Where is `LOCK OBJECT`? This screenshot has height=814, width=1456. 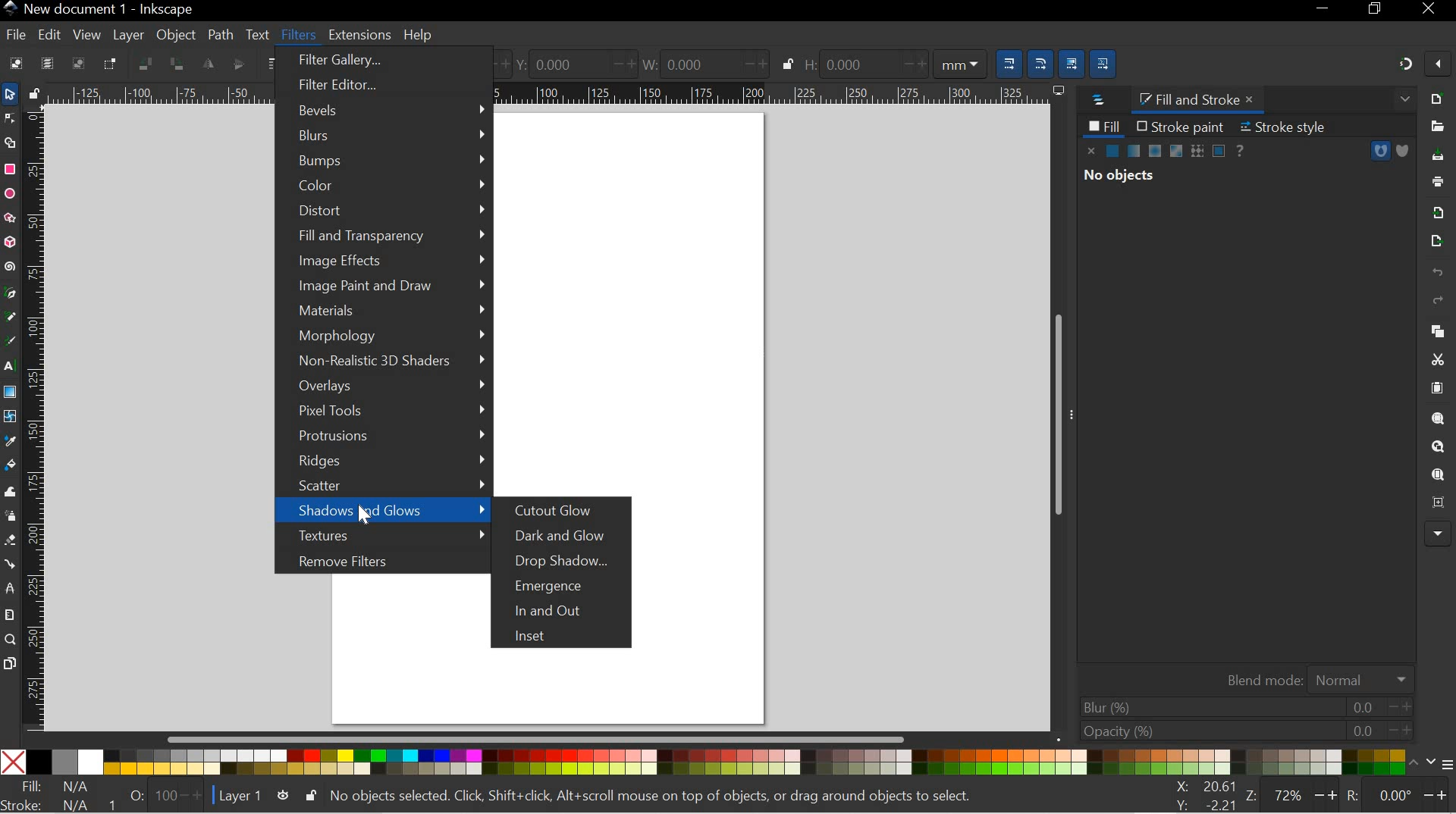 LOCK OBJECT is located at coordinates (786, 64).